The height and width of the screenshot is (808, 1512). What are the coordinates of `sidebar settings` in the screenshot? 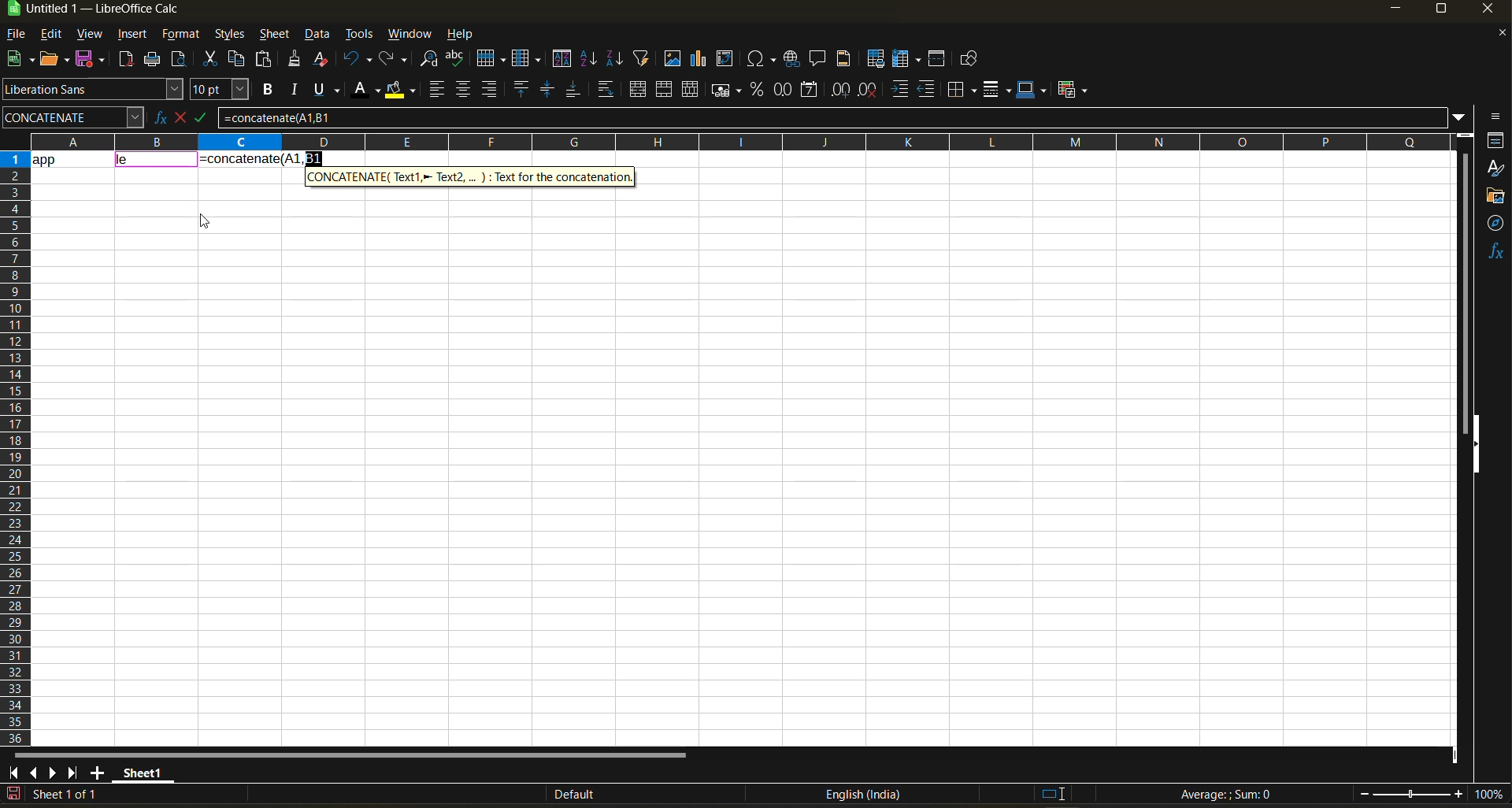 It's located at (1493, 117).